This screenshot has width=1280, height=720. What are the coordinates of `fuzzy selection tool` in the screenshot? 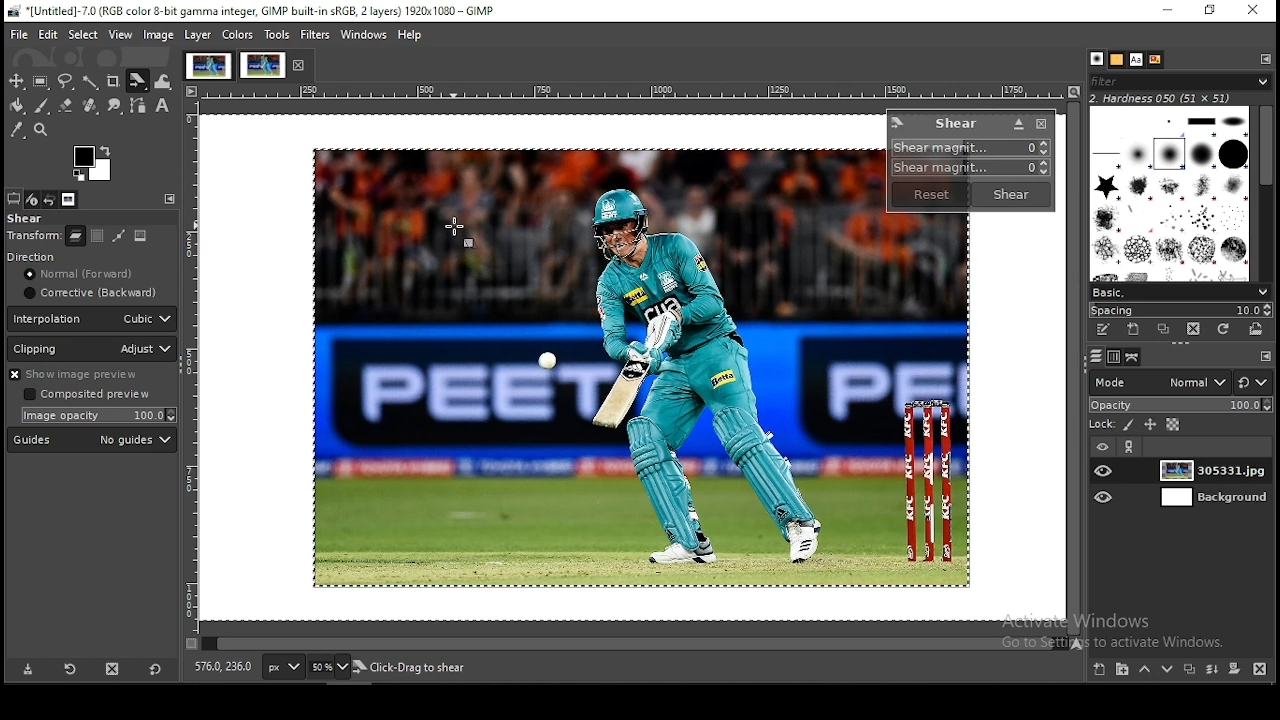 It's located at (93, 83).